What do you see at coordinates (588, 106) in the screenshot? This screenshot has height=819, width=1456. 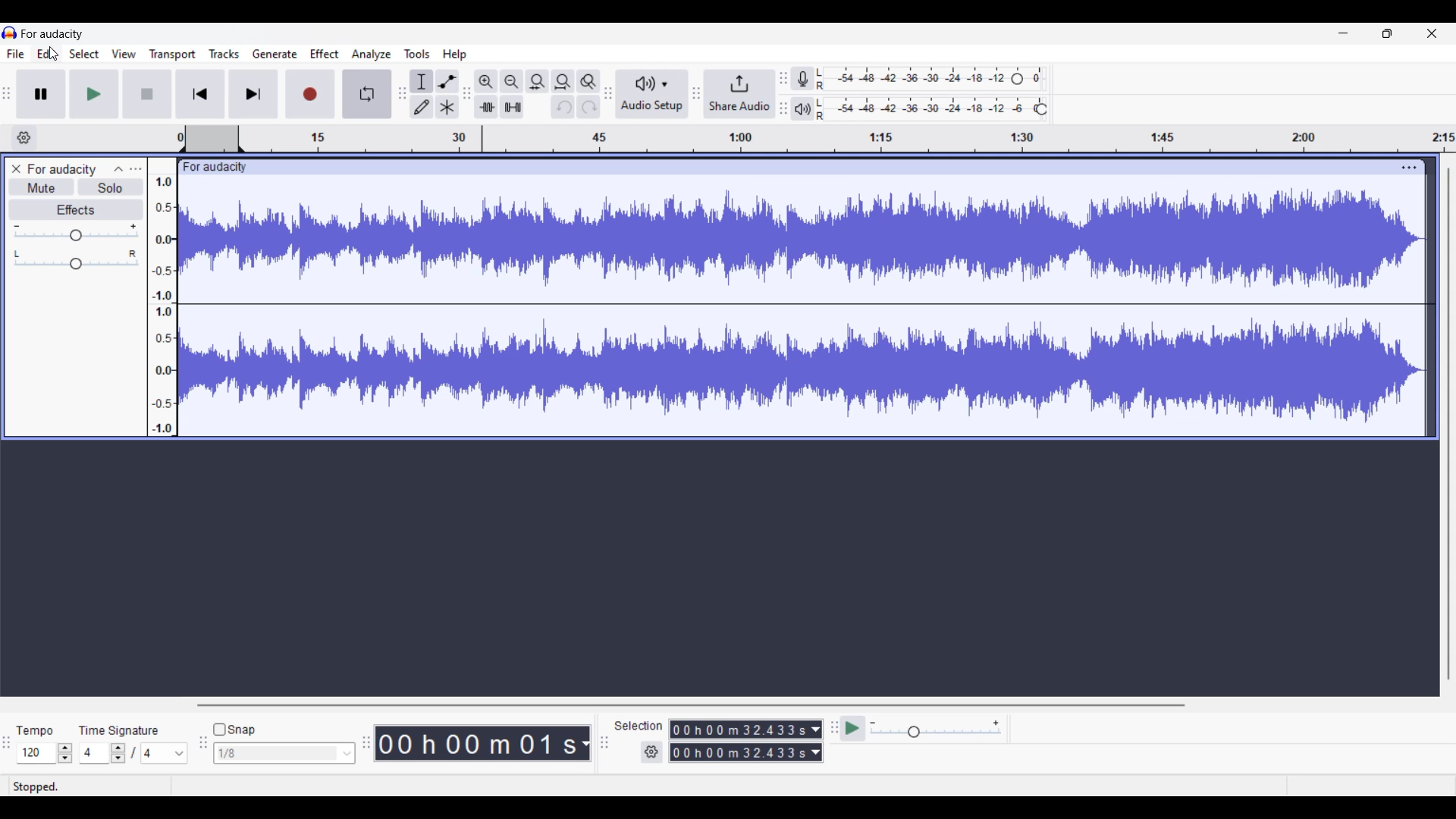 I see `Redo` at bounding box center [588, 106].